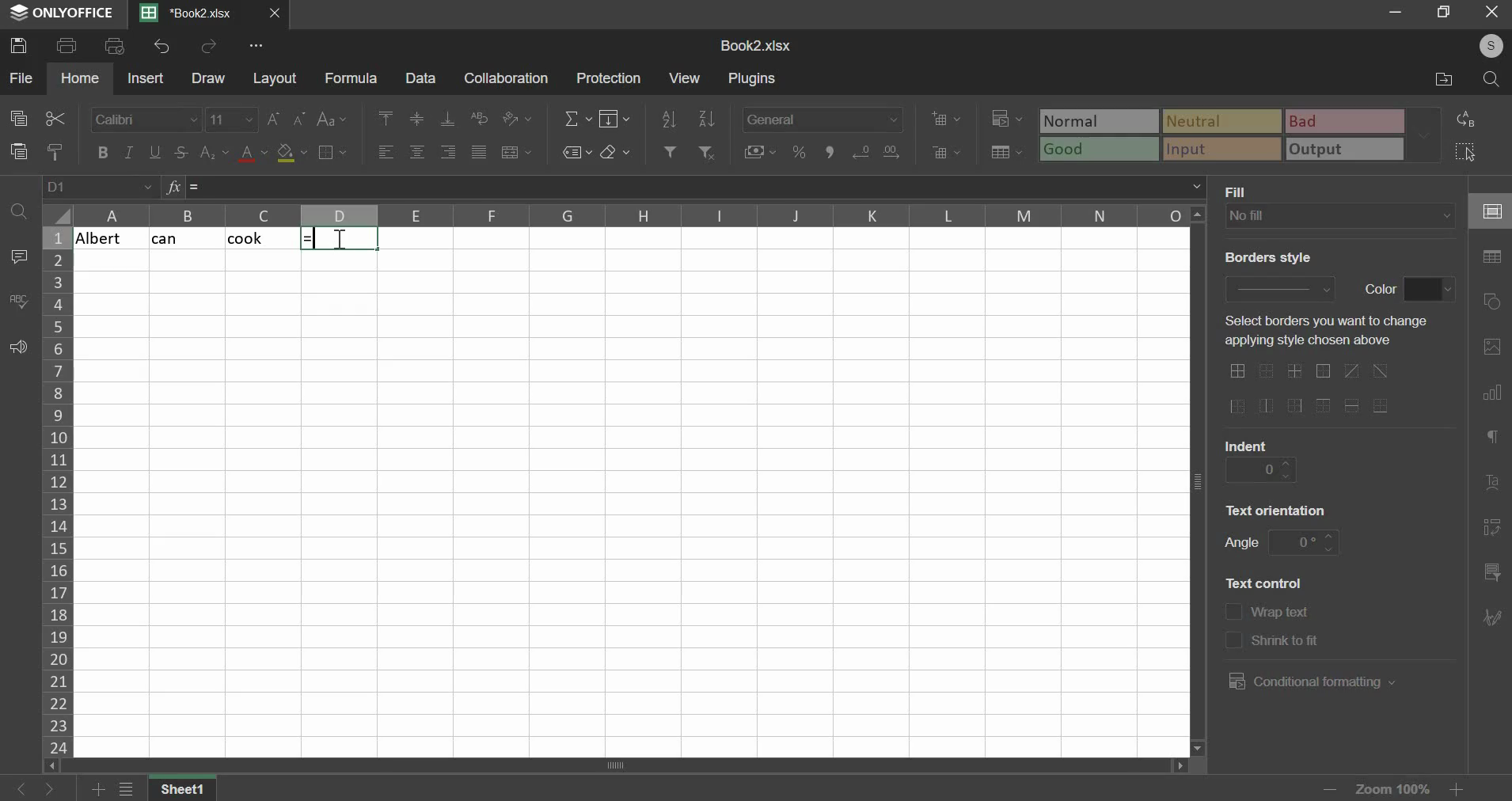 The height and width of the screenshot is (801, 1512). Describe the element at coordinates (337, 240) in the screenshot. I see `selected cells ` at that location.